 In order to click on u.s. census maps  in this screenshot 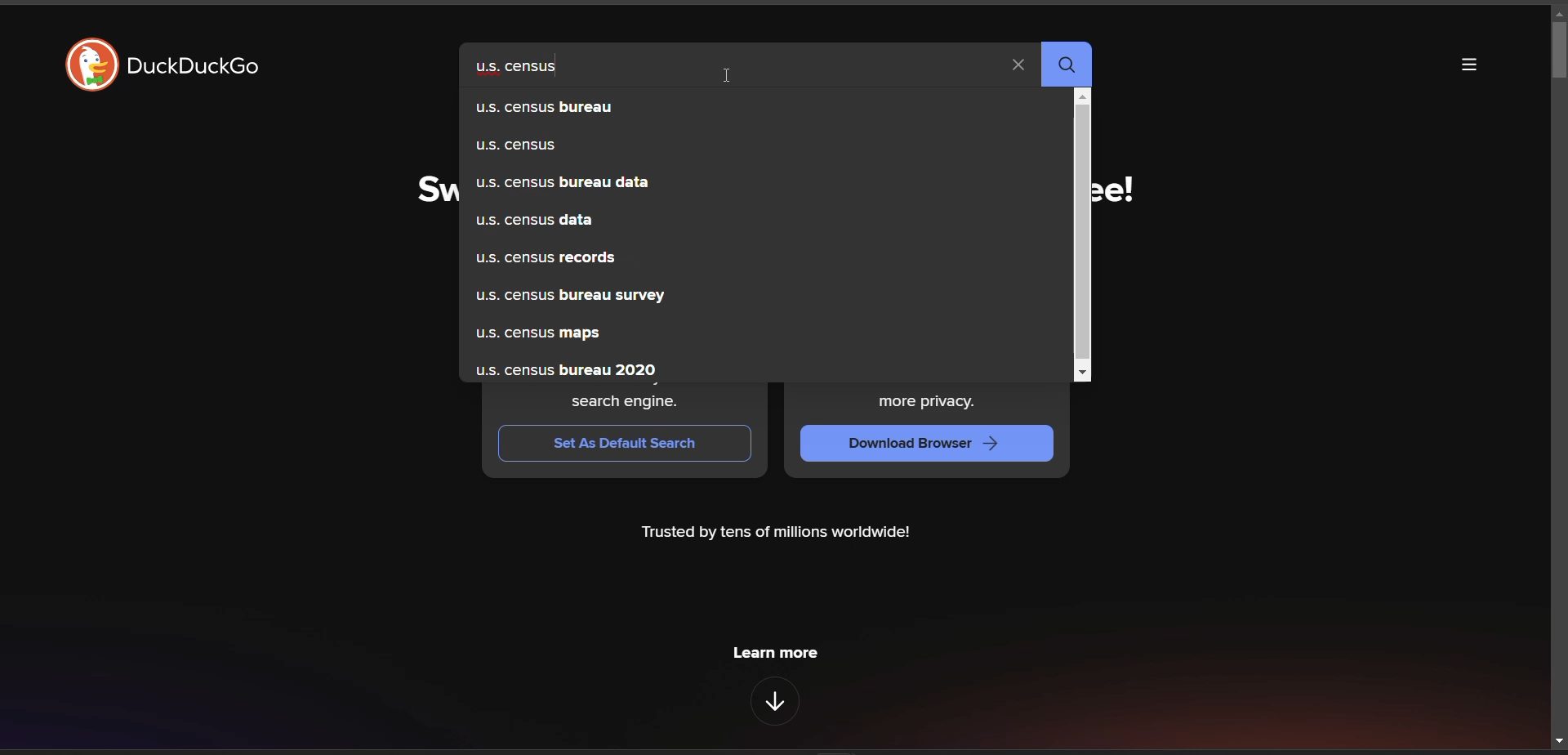, I will do `click(739, 336)`.